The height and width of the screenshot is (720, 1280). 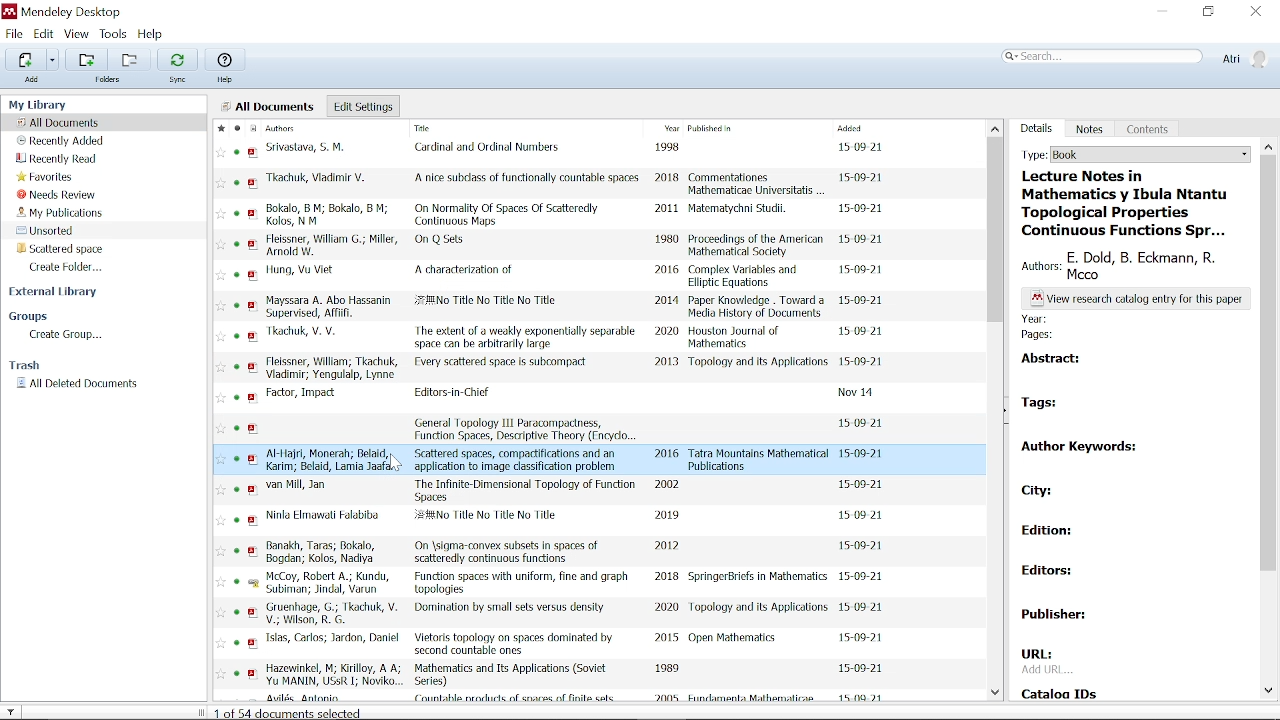 What do you see at coordinates (665, 607) in the screenshot?
I see `2020` at bounding box center [665, 607].